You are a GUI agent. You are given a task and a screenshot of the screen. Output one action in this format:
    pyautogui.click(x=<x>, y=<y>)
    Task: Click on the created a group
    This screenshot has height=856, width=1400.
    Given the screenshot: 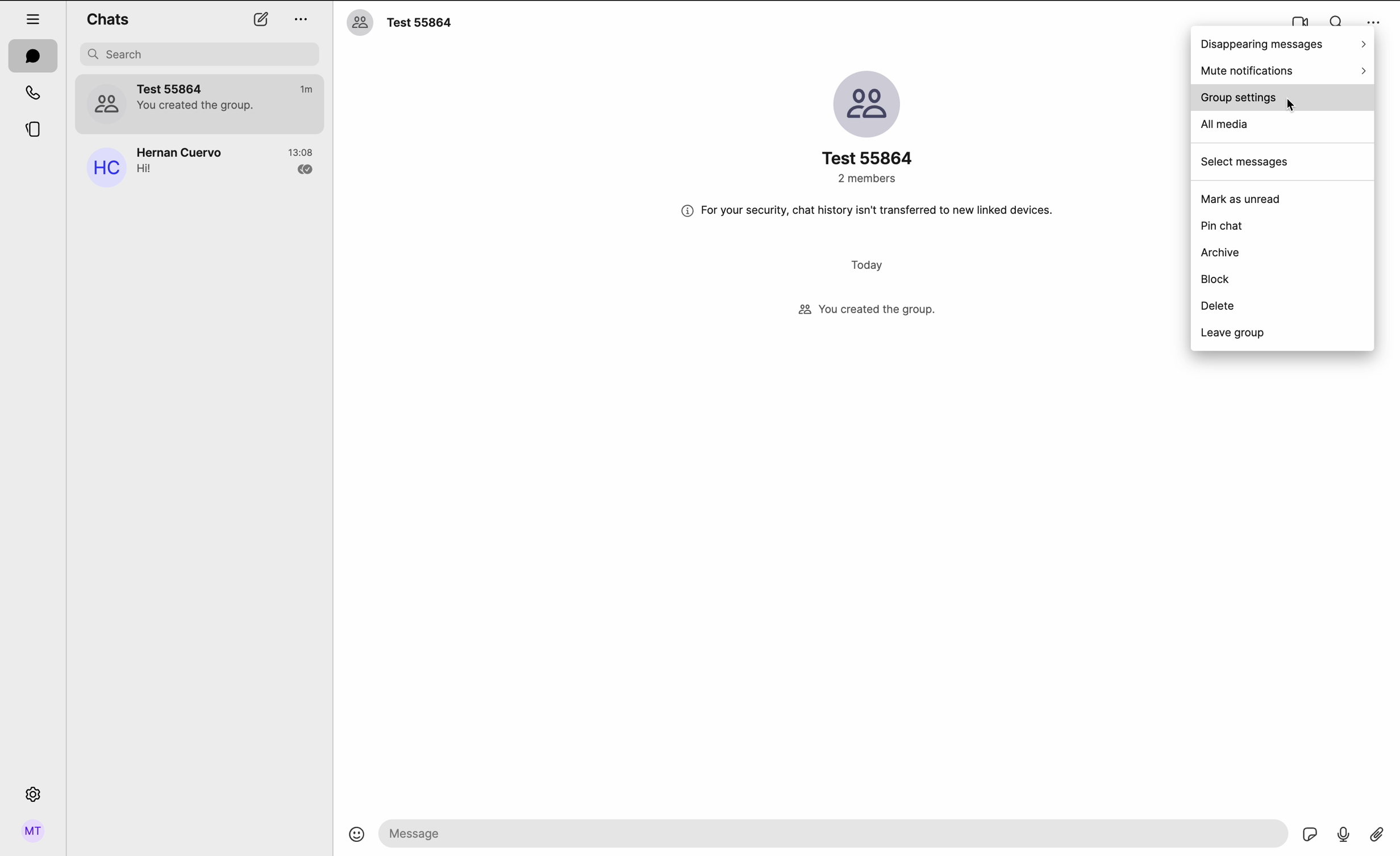 What is the action you would take?
    pyautogui.click(x=866, y=311)
    